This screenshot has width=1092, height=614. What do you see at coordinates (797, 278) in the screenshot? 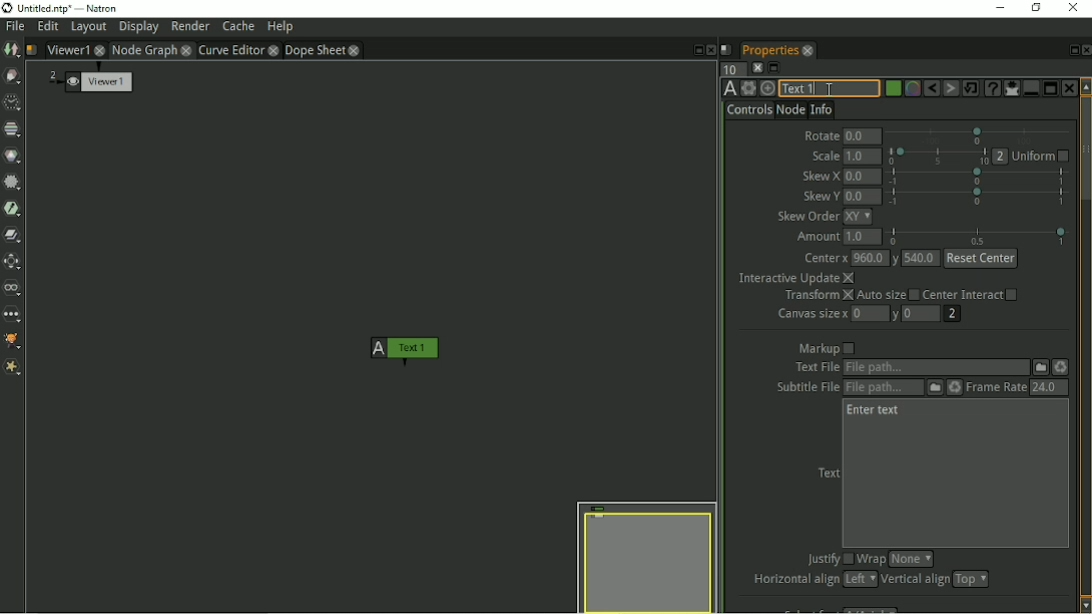
I see `Interactive Update` at bounding box center [797, 278].